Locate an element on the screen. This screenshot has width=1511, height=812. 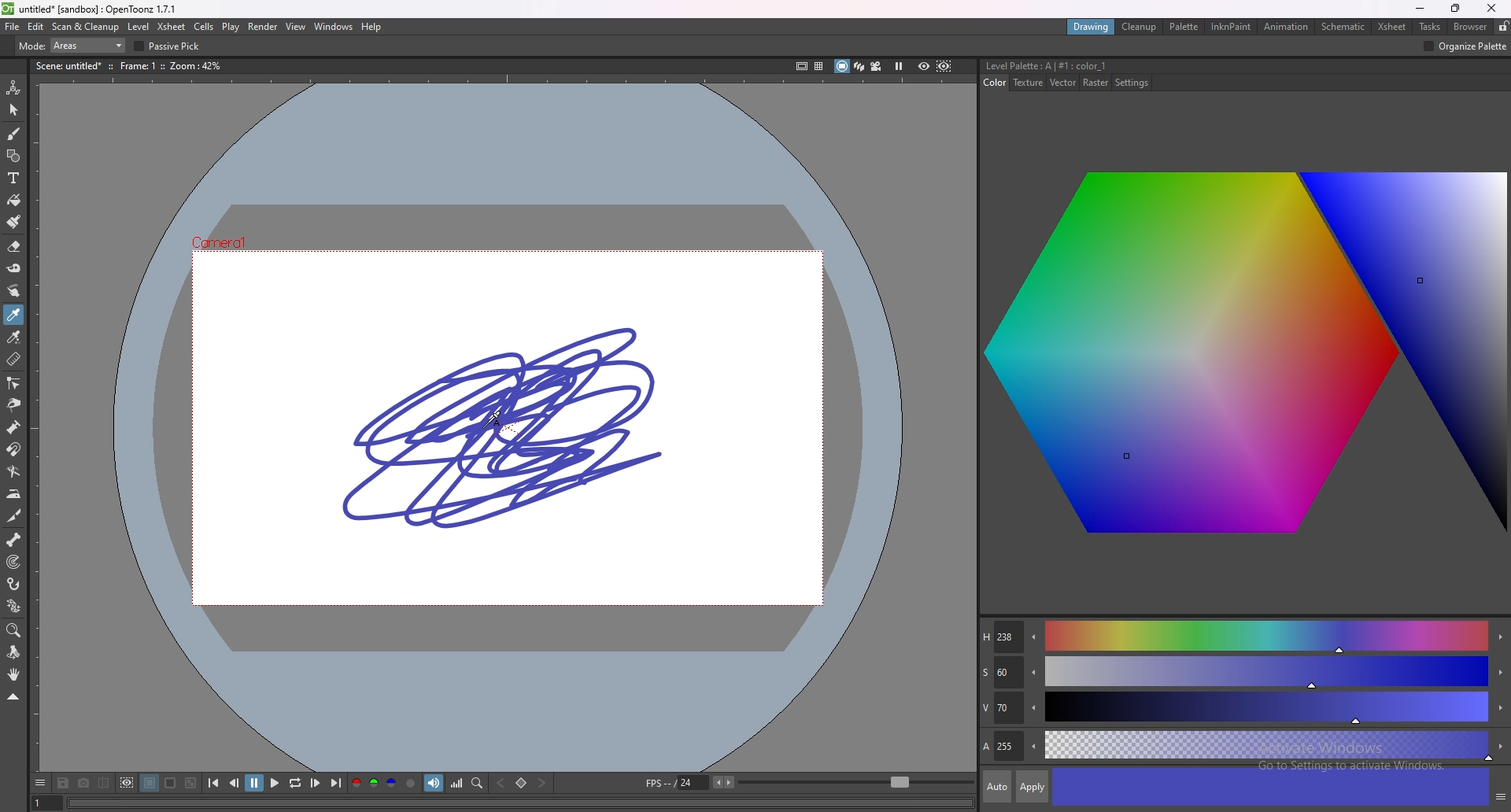
thickness is located at coordinates (1131, 45).